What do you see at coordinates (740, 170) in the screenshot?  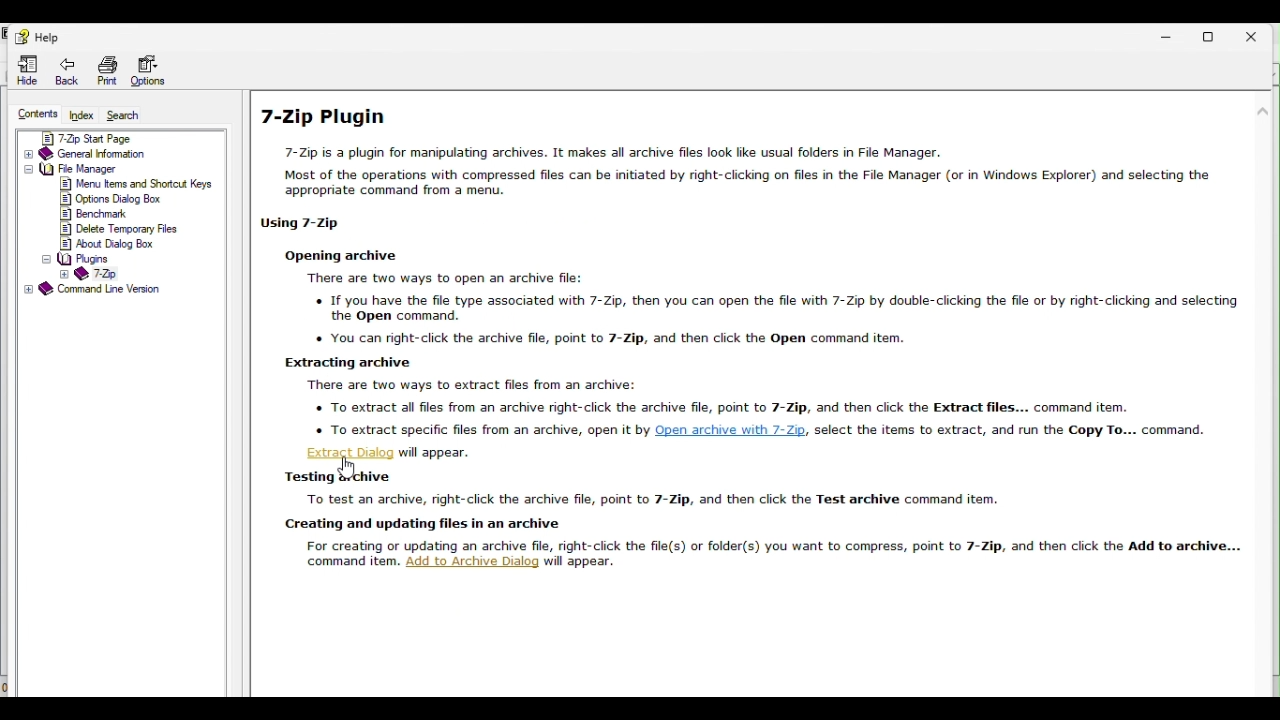 I see `text` at bounding box center [740, 170].